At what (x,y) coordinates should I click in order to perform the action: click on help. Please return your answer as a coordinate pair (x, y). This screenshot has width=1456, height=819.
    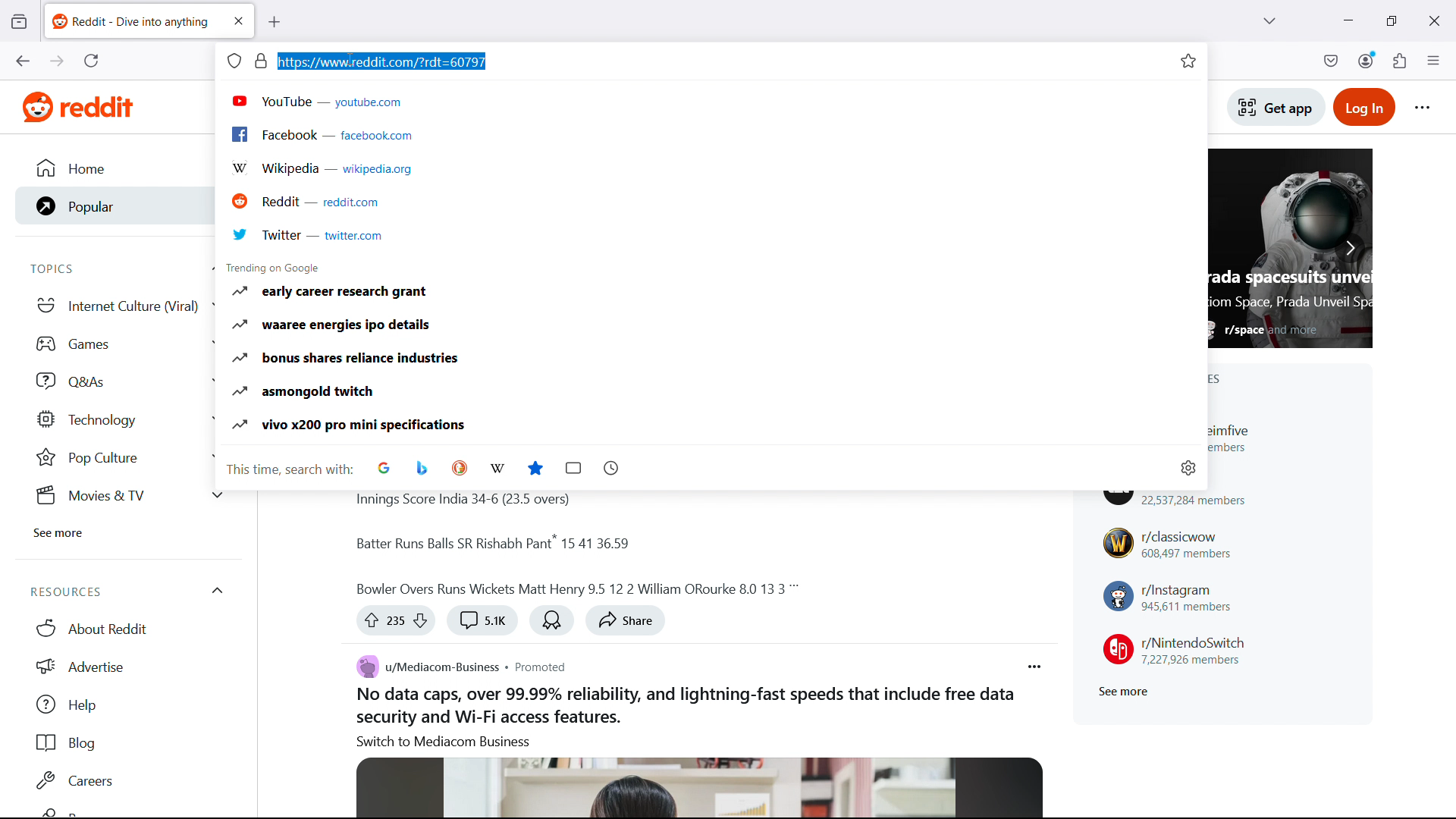
    Looking at the image, I should click on (127, 705).